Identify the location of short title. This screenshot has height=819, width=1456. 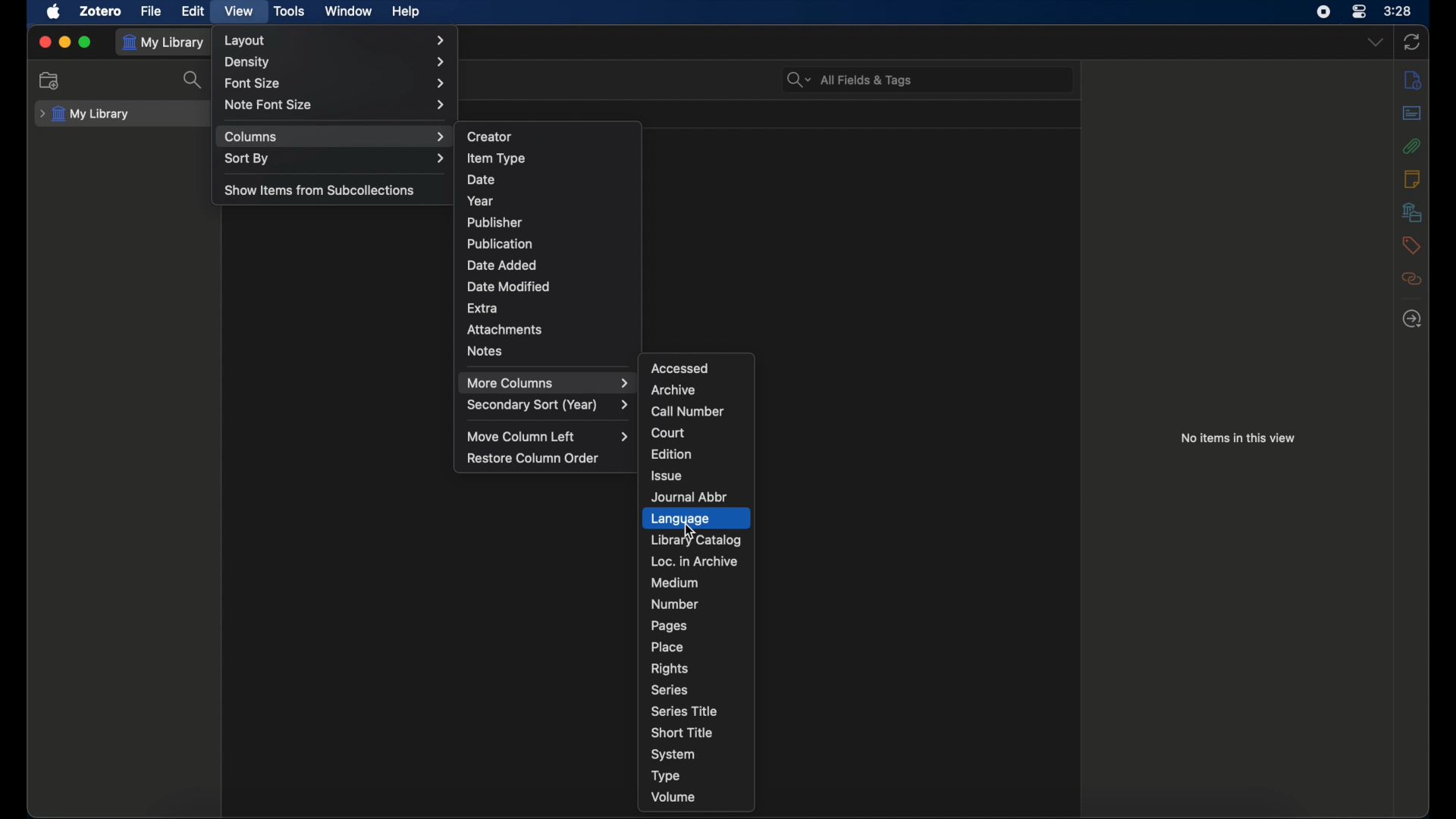
(684, 732).